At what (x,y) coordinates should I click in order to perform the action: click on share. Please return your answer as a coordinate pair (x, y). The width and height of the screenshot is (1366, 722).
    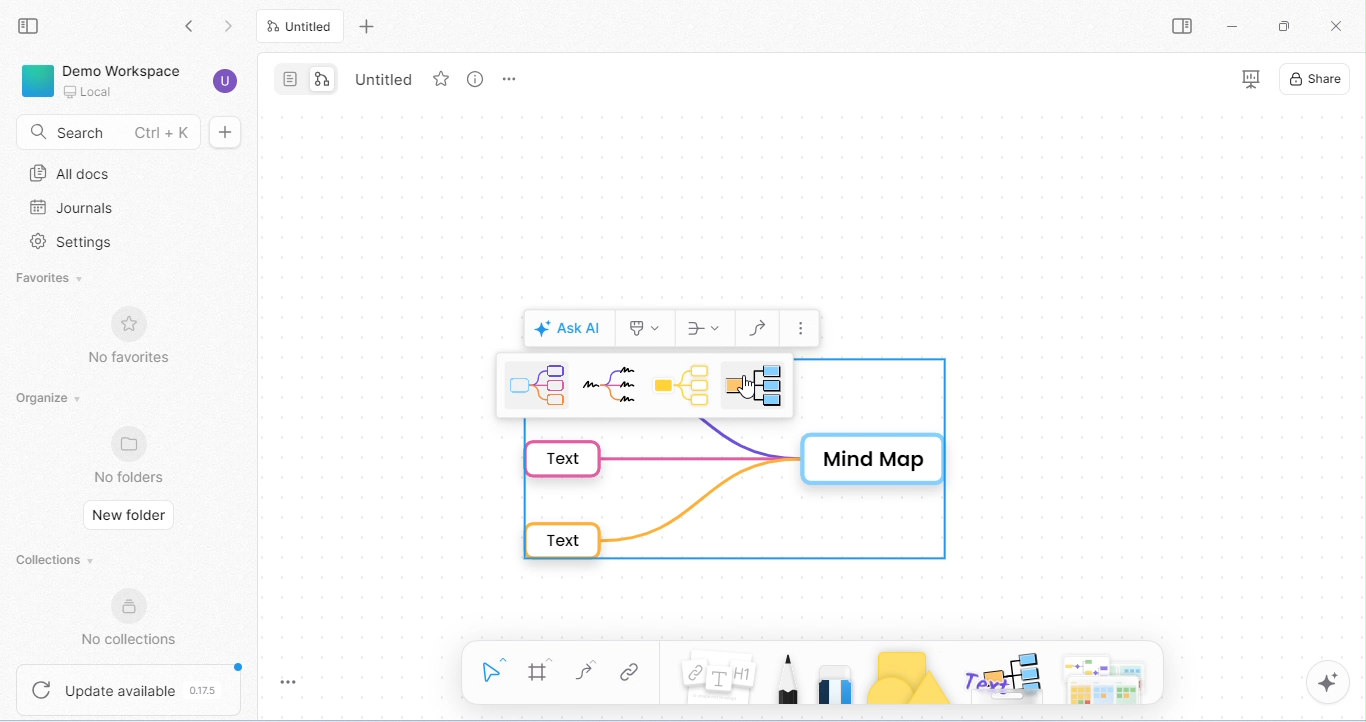
    Looking at the image, I should click on (1316, 79).